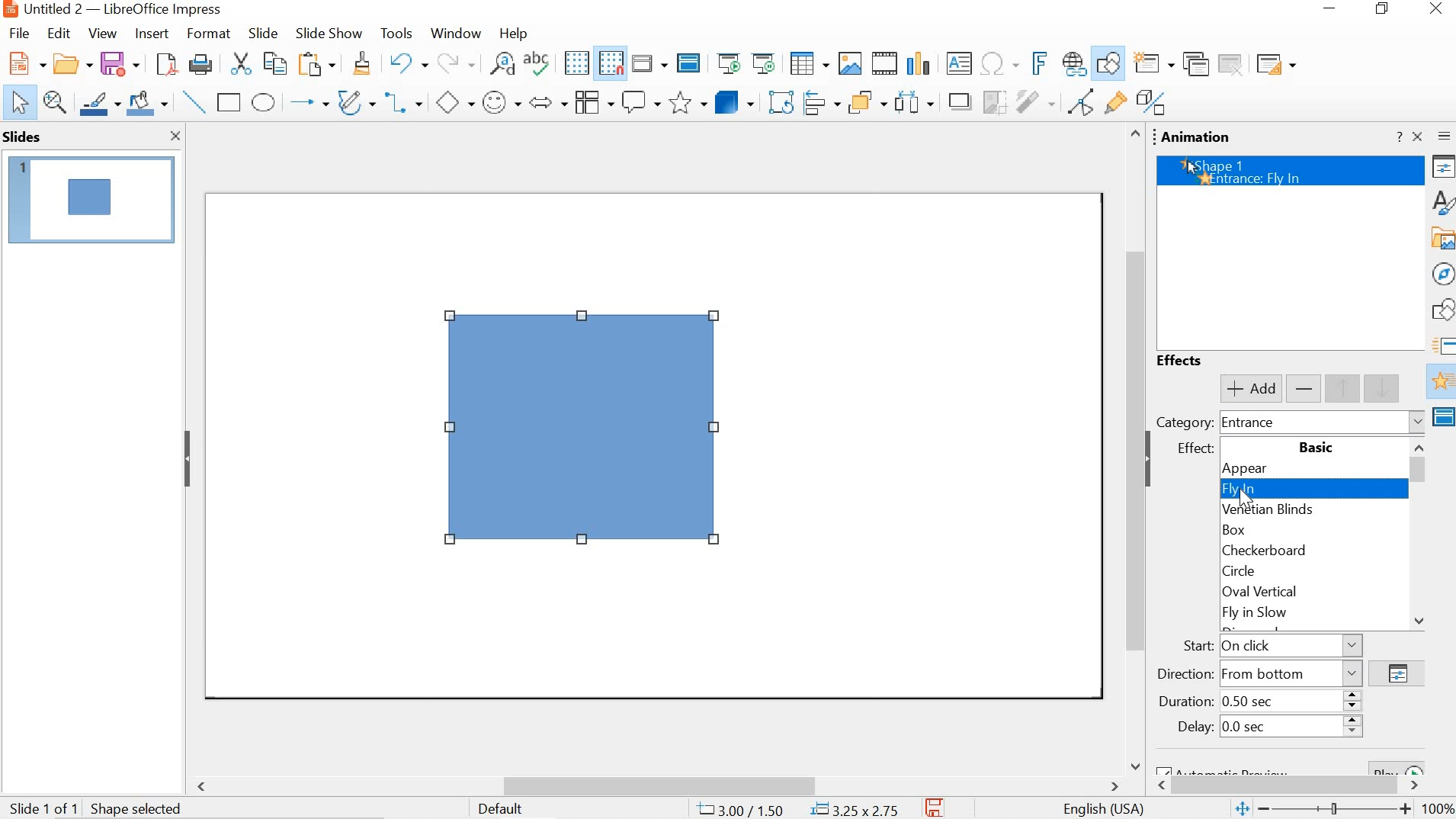 This screenshot has width=1456, height=819. What do you see at coordinates (582, 429) in the screenshot?
I see `object animated` at bounding box center [582, 429].